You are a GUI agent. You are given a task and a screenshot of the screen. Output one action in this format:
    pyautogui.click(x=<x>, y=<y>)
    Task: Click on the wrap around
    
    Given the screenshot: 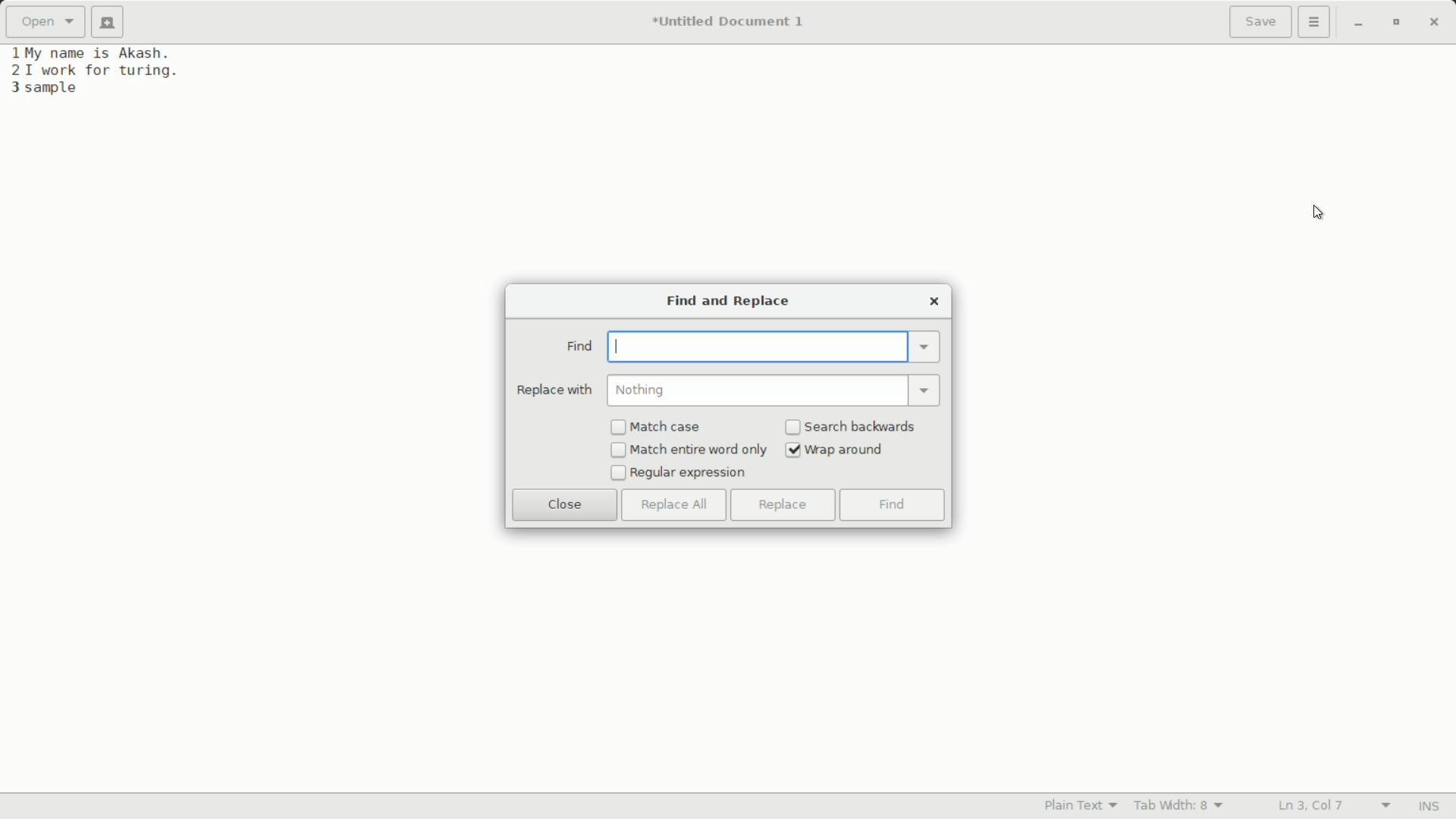 What is the action you would take?
    pyautogui.click(x=847, y=450)
    